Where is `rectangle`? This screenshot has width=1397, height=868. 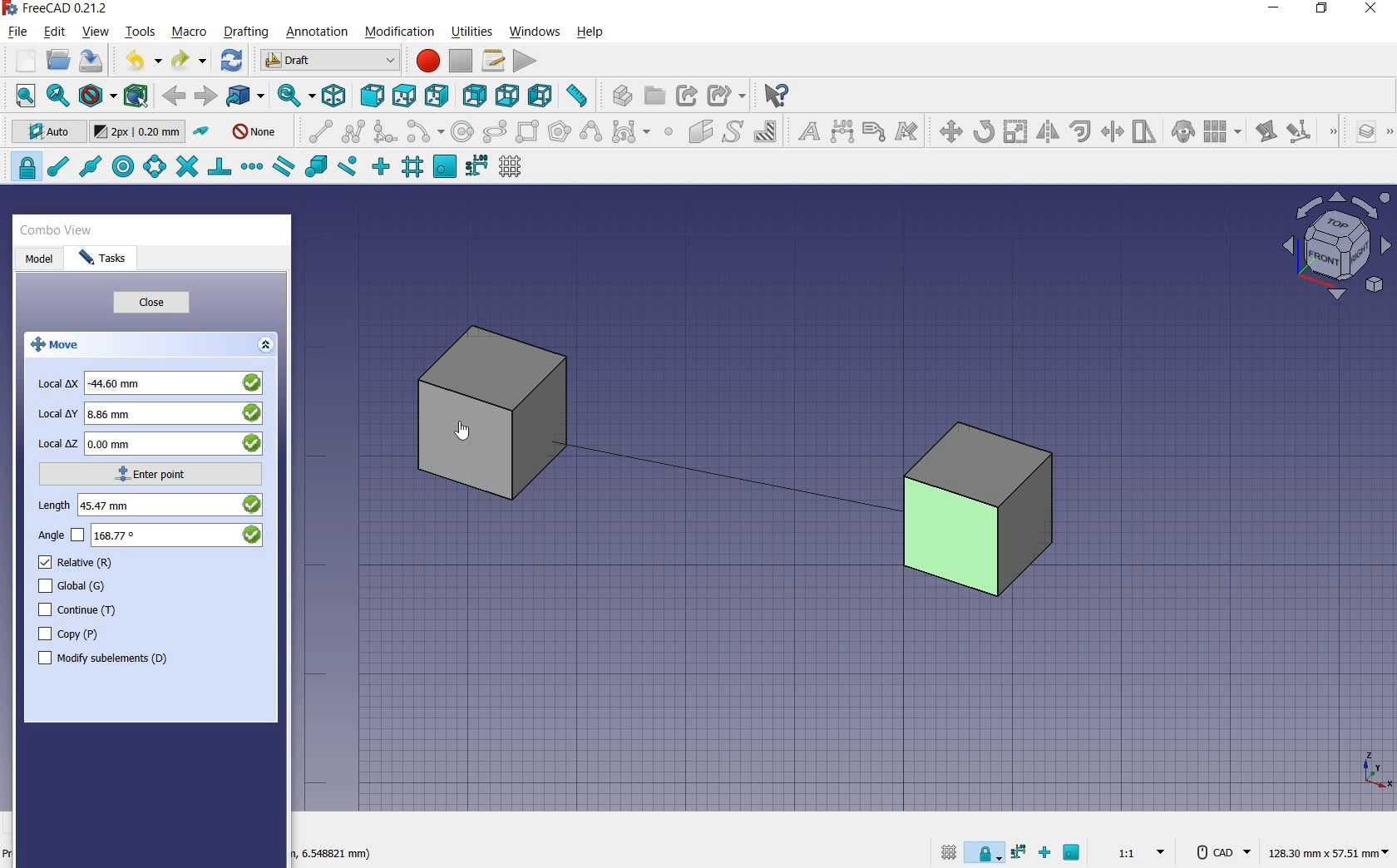 rectangle is located at coordinates (530, 131).